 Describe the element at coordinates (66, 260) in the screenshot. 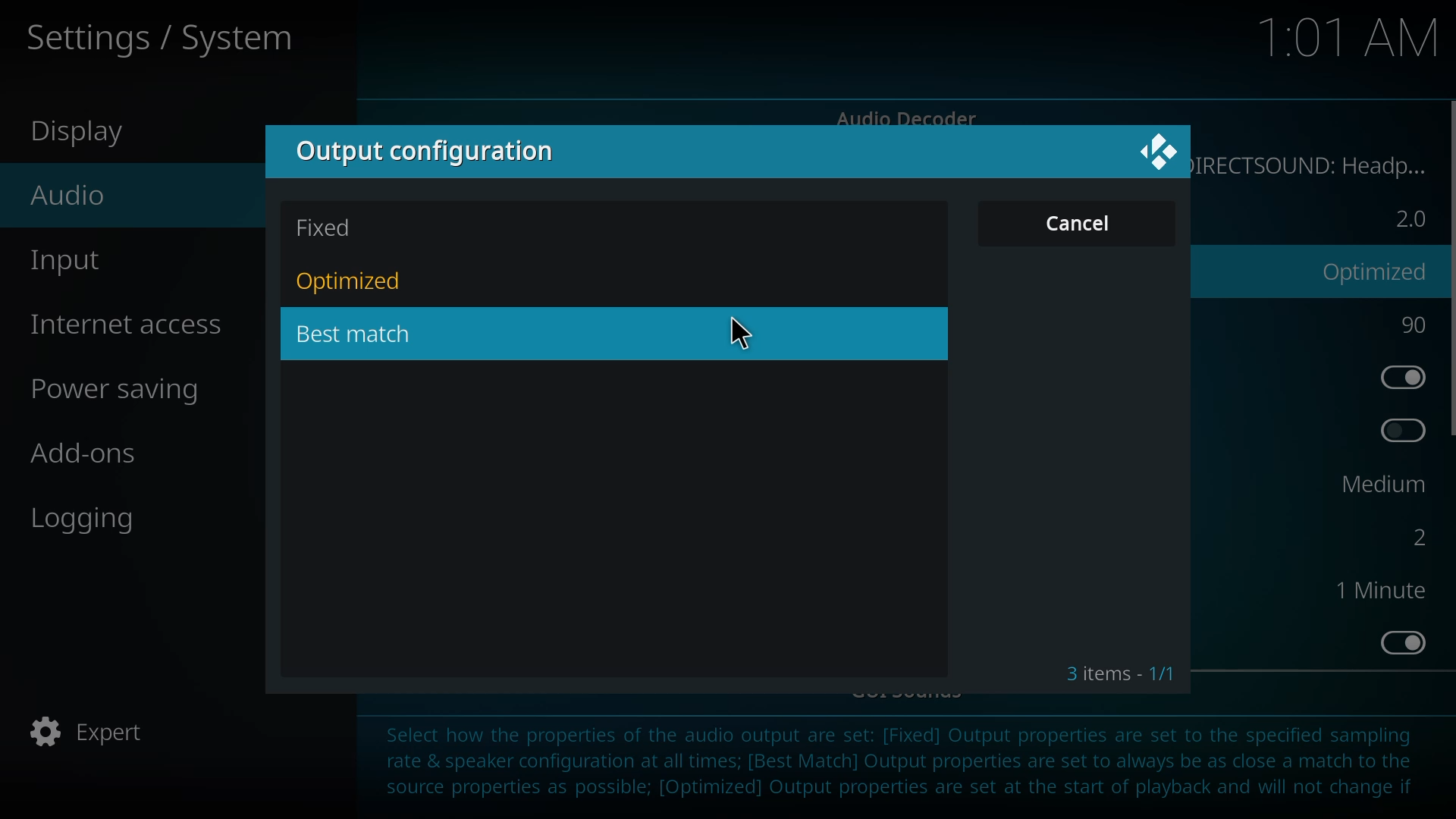

I see `input` at that location.